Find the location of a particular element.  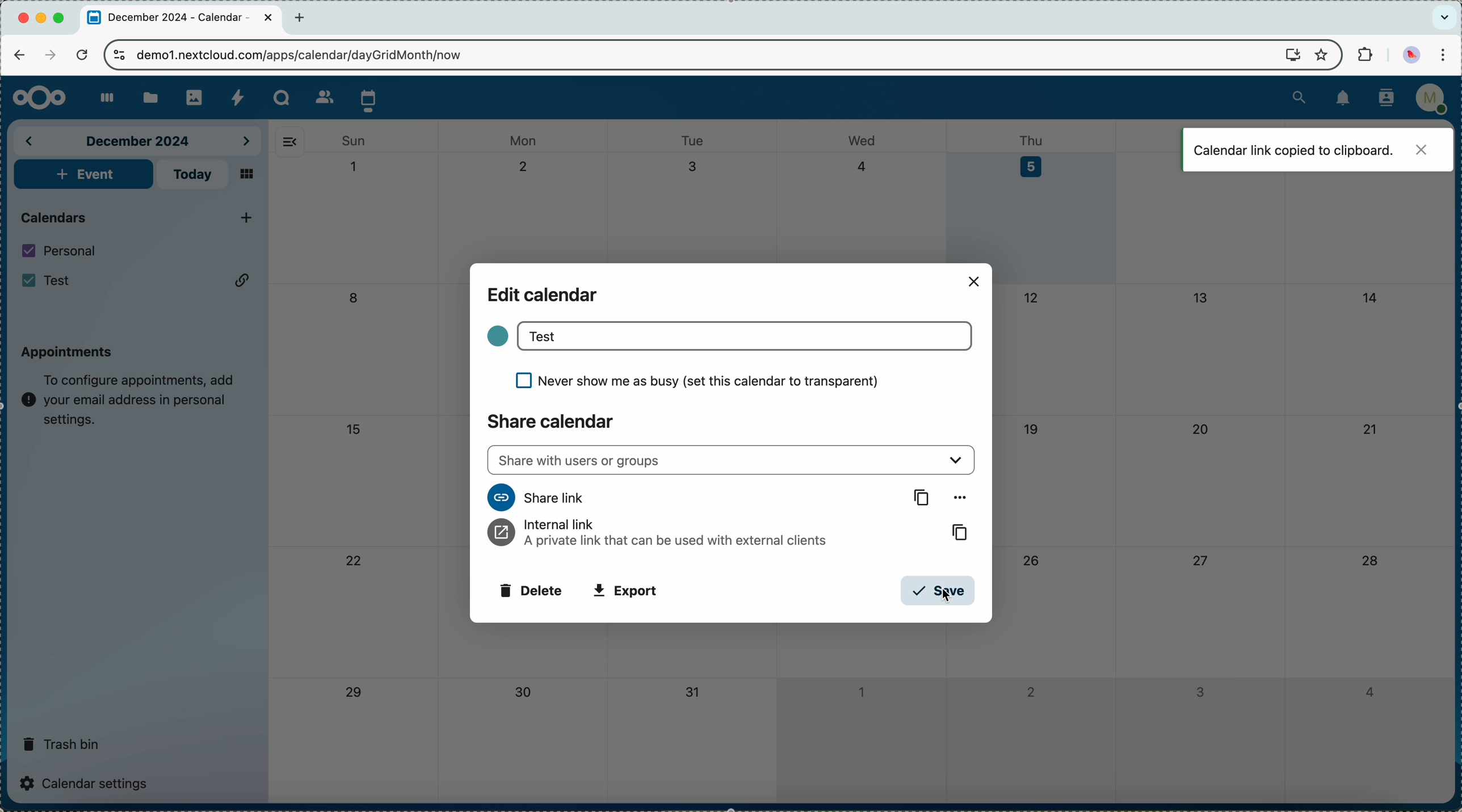

more options is located at coordinates (959, 498).